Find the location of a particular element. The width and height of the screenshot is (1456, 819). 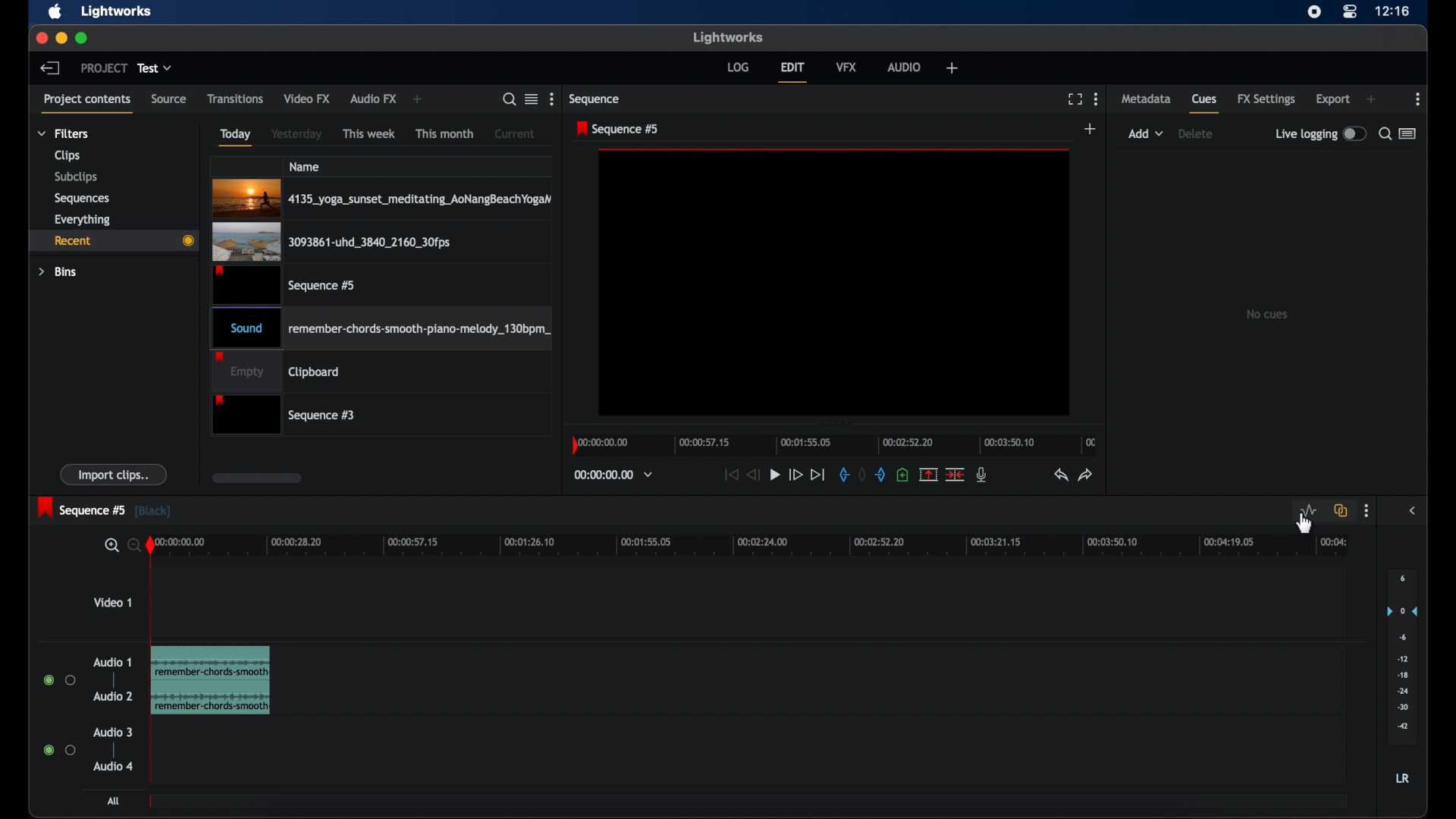

recent is located at coordinates (115, 240).